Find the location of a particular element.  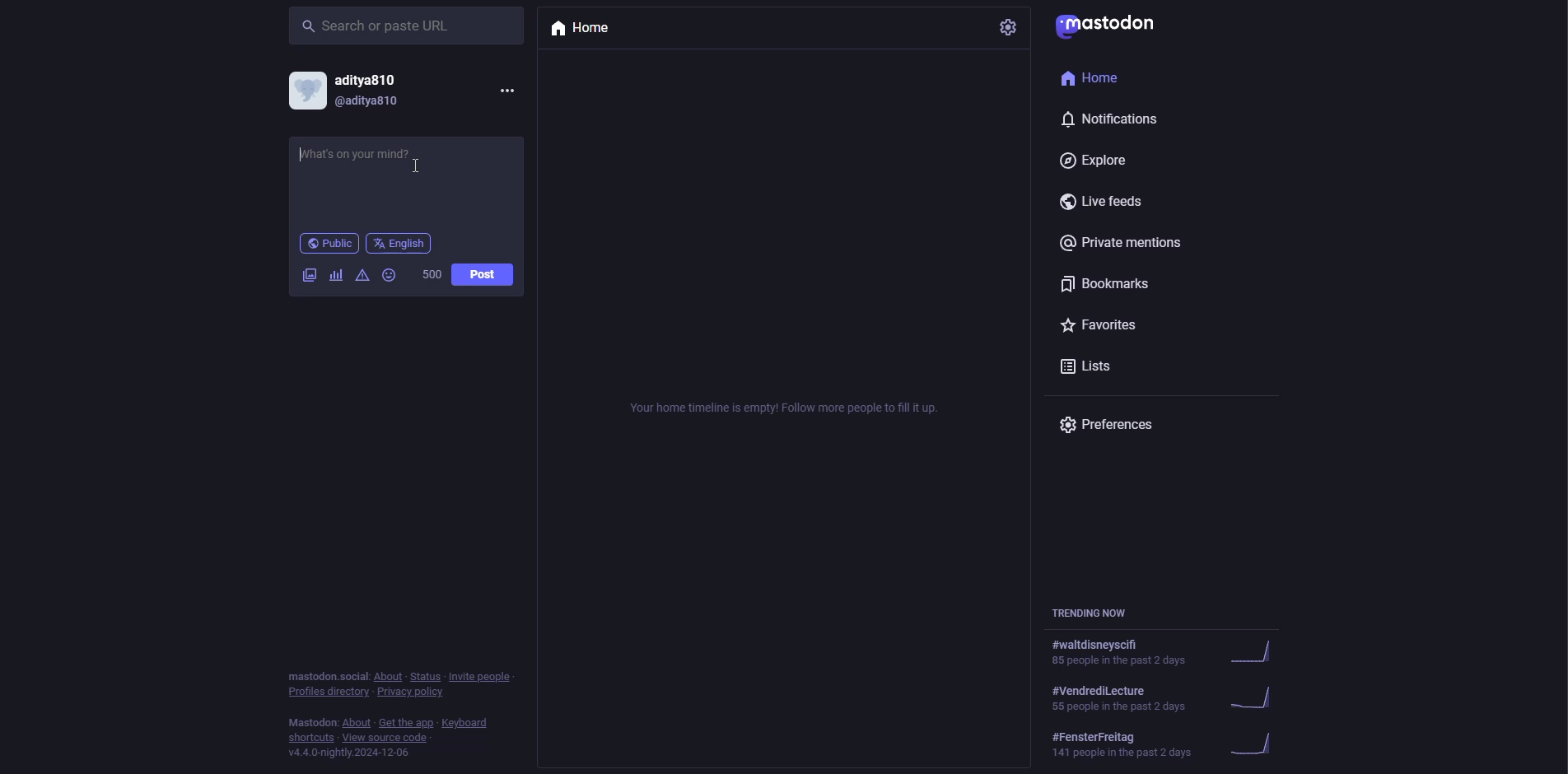

account is located at coordinates (352, 90).